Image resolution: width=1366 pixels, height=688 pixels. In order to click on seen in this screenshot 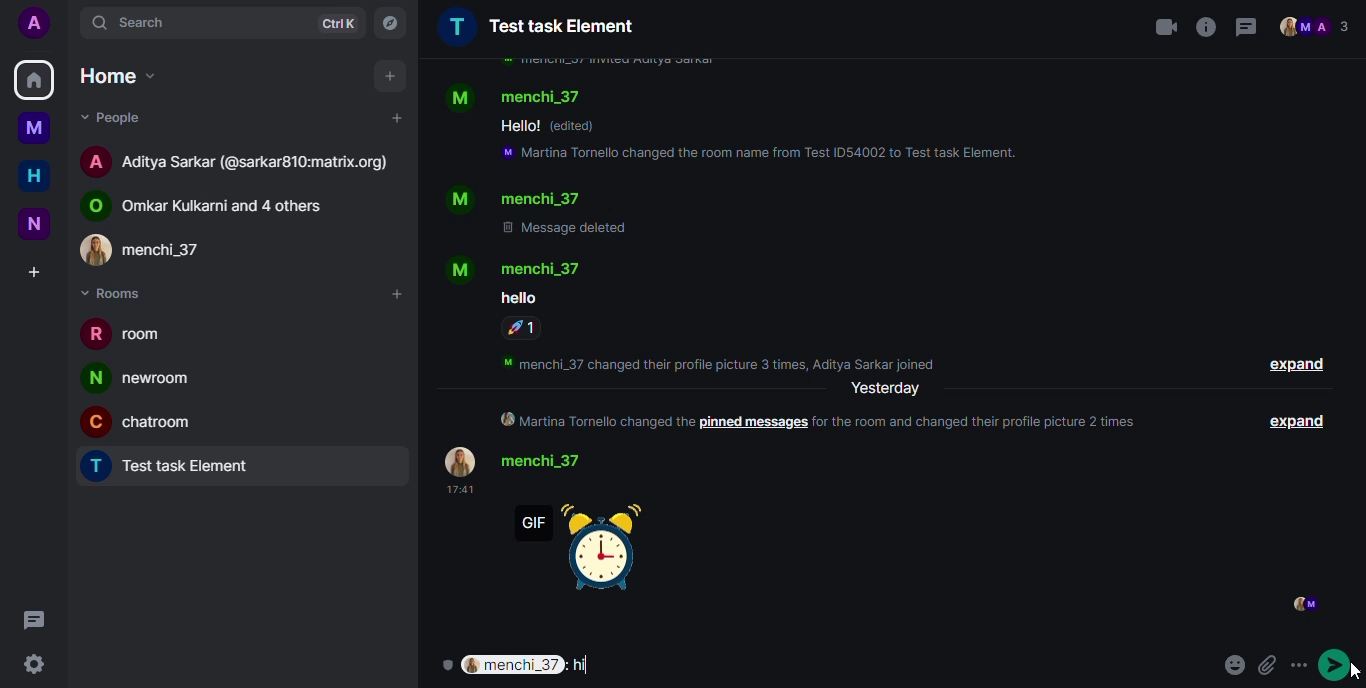, I will do `click(1303, 604)`.